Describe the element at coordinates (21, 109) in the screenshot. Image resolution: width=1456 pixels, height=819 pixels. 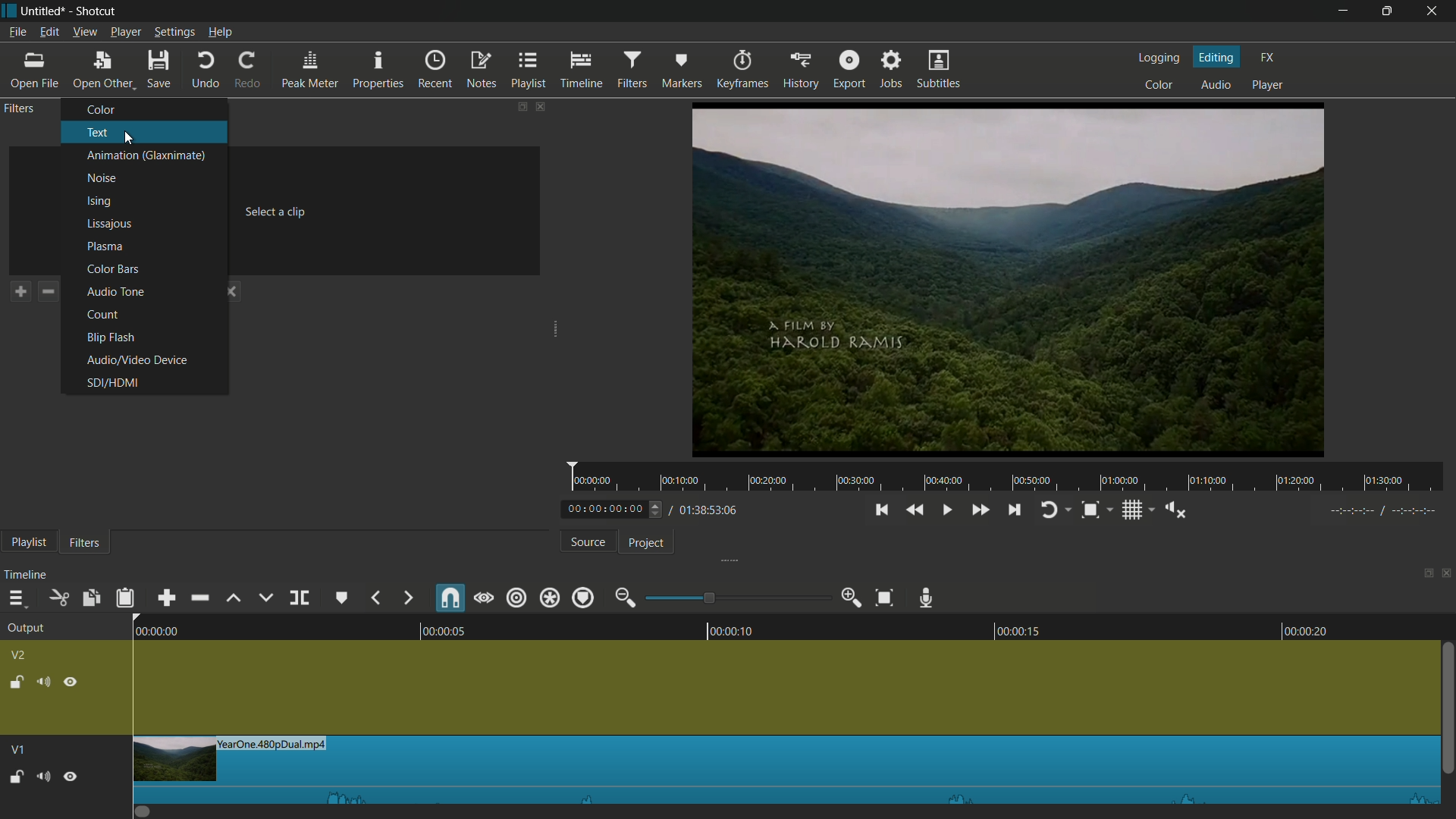
I see `filters` at that location.